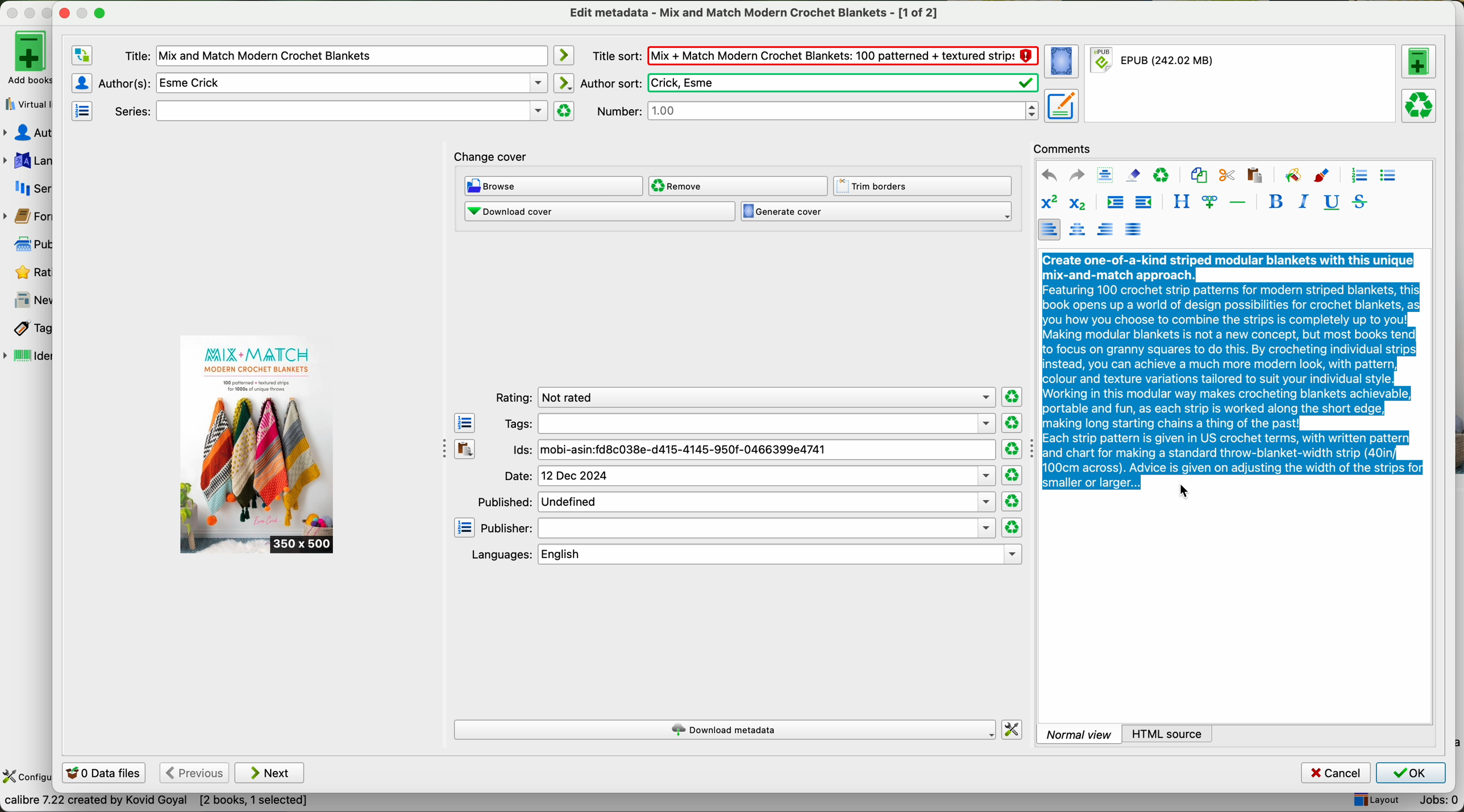 This screenshot has width=1464, height=812. What do you see at coordinates (1066, 147) in the screenshot?
I see `comments` at bounding box center [1066, 147].